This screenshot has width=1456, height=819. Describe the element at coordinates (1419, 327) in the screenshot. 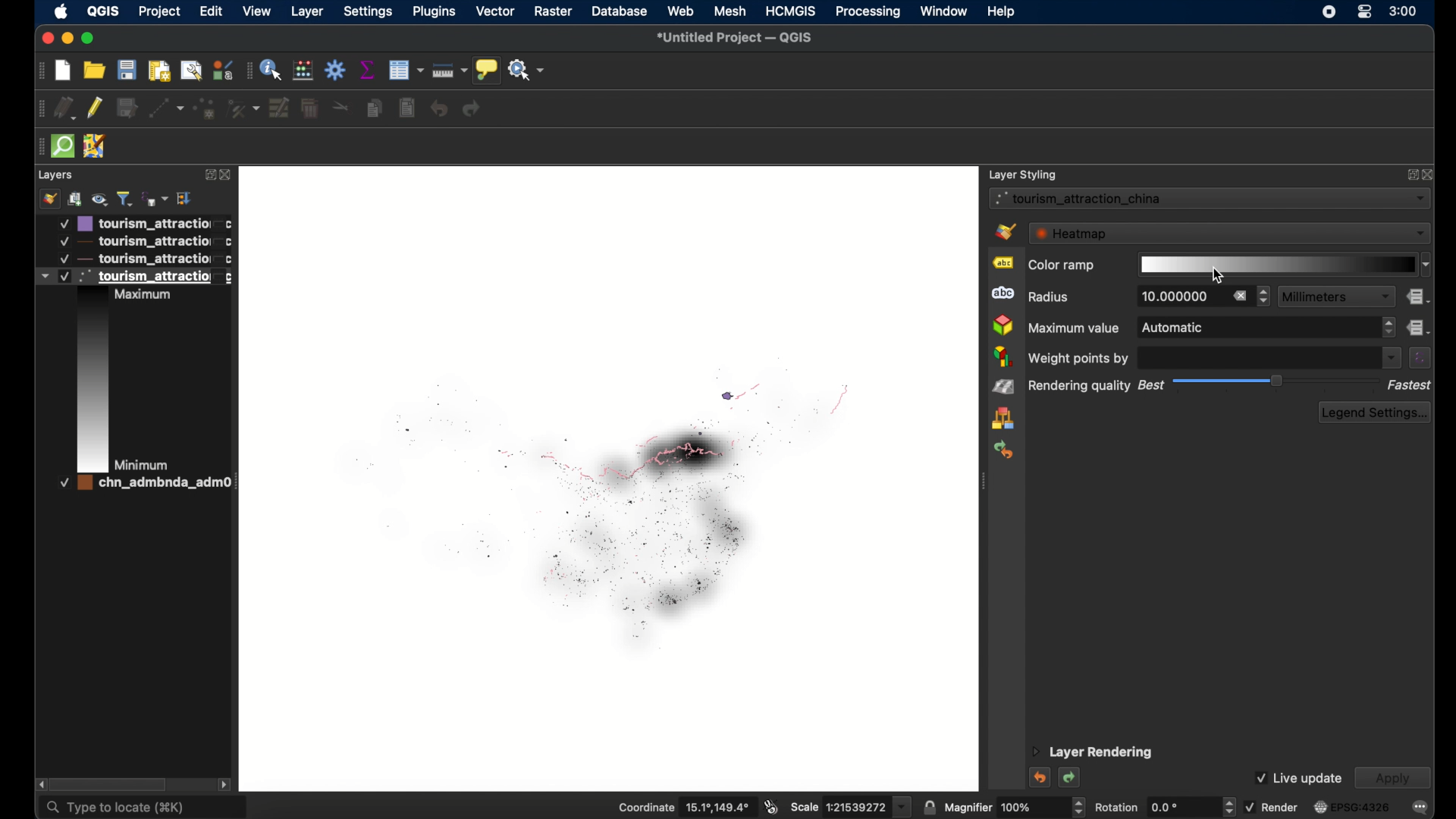

I see `data defined override` at that location.